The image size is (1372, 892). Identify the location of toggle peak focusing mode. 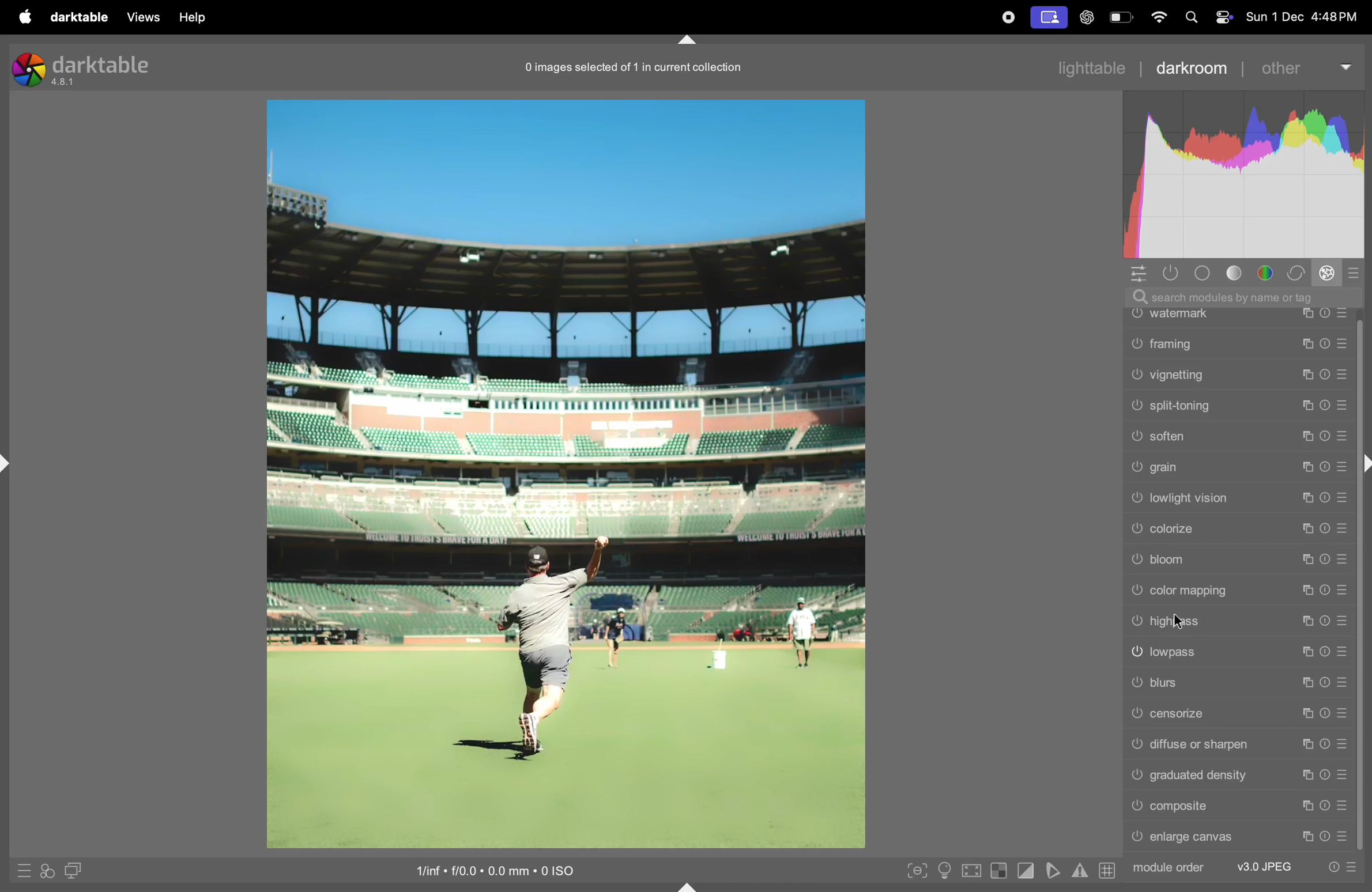
(915, 870).